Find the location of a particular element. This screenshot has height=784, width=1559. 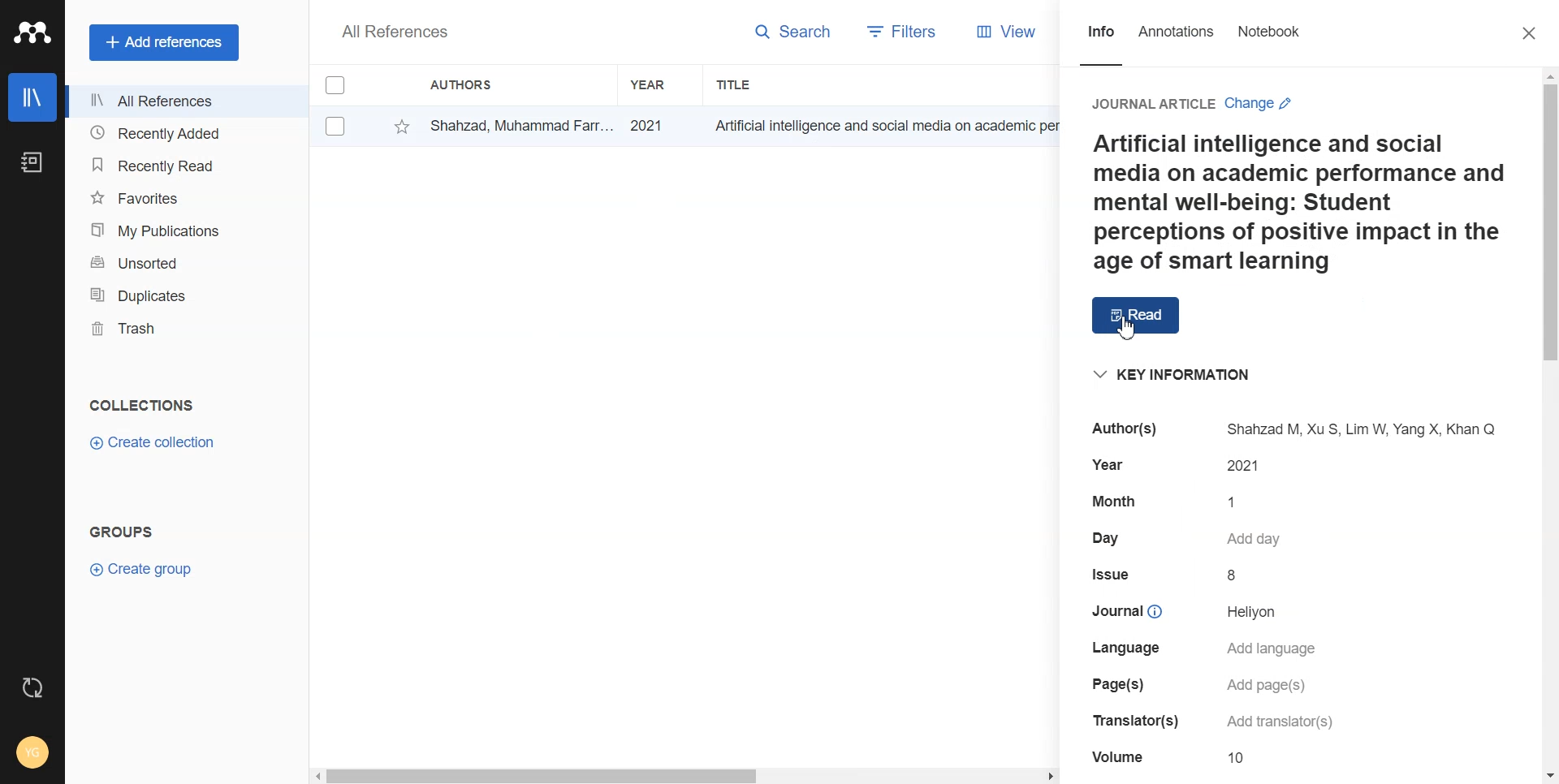

Authors is located at coordinates (462, 84).